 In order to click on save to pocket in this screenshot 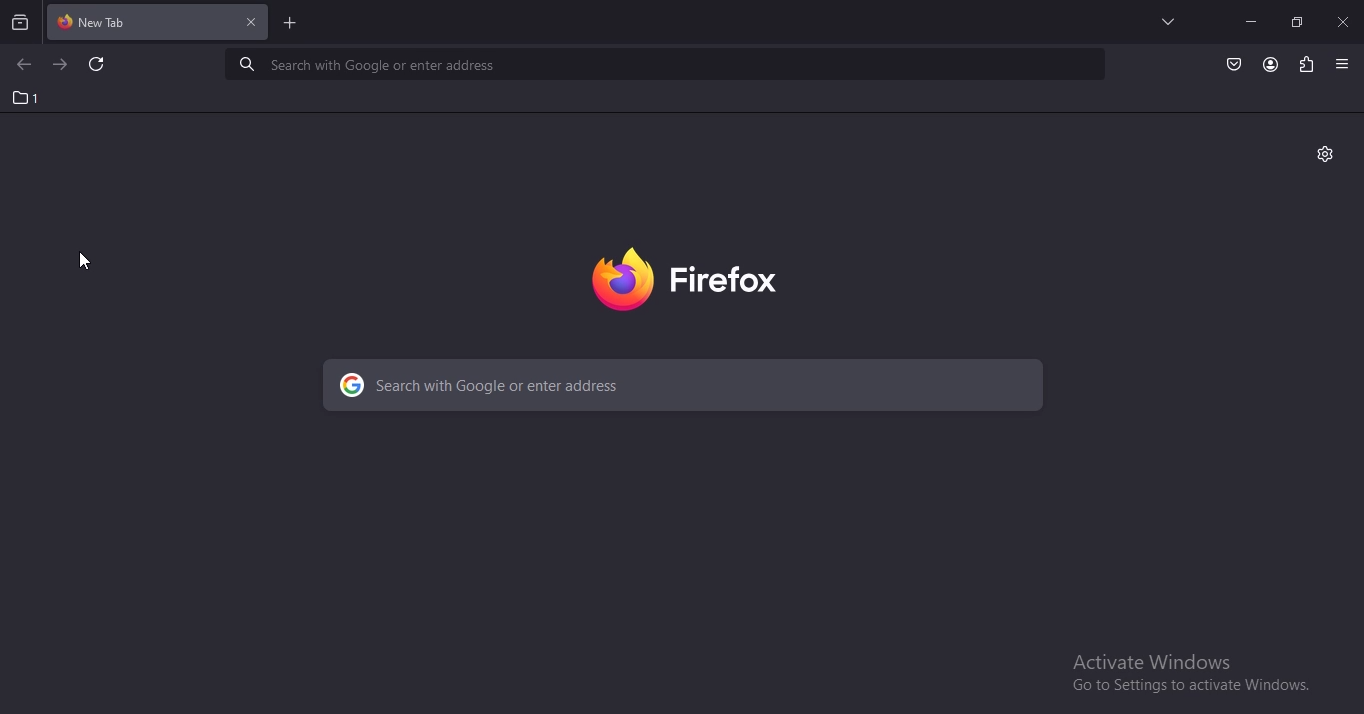, I will do `click(1235, 65)`.